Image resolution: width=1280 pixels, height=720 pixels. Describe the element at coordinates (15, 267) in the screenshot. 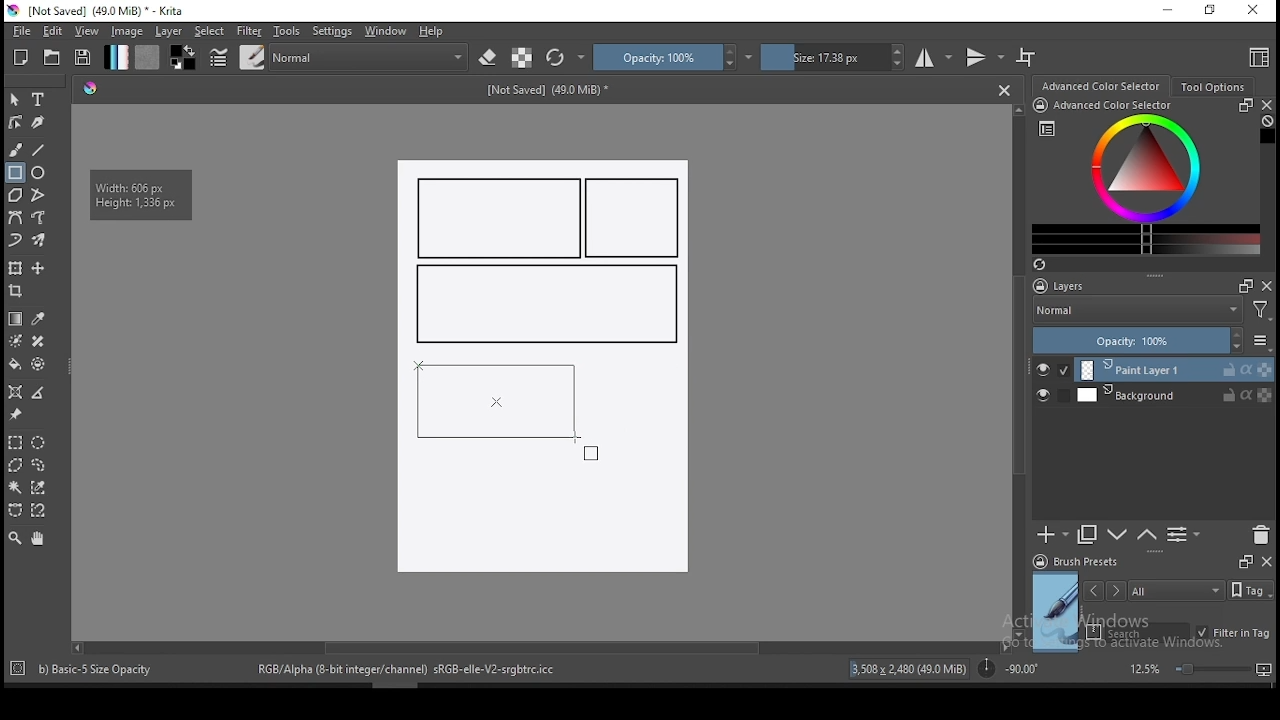

I see `transform a layer or a selection` at that location.